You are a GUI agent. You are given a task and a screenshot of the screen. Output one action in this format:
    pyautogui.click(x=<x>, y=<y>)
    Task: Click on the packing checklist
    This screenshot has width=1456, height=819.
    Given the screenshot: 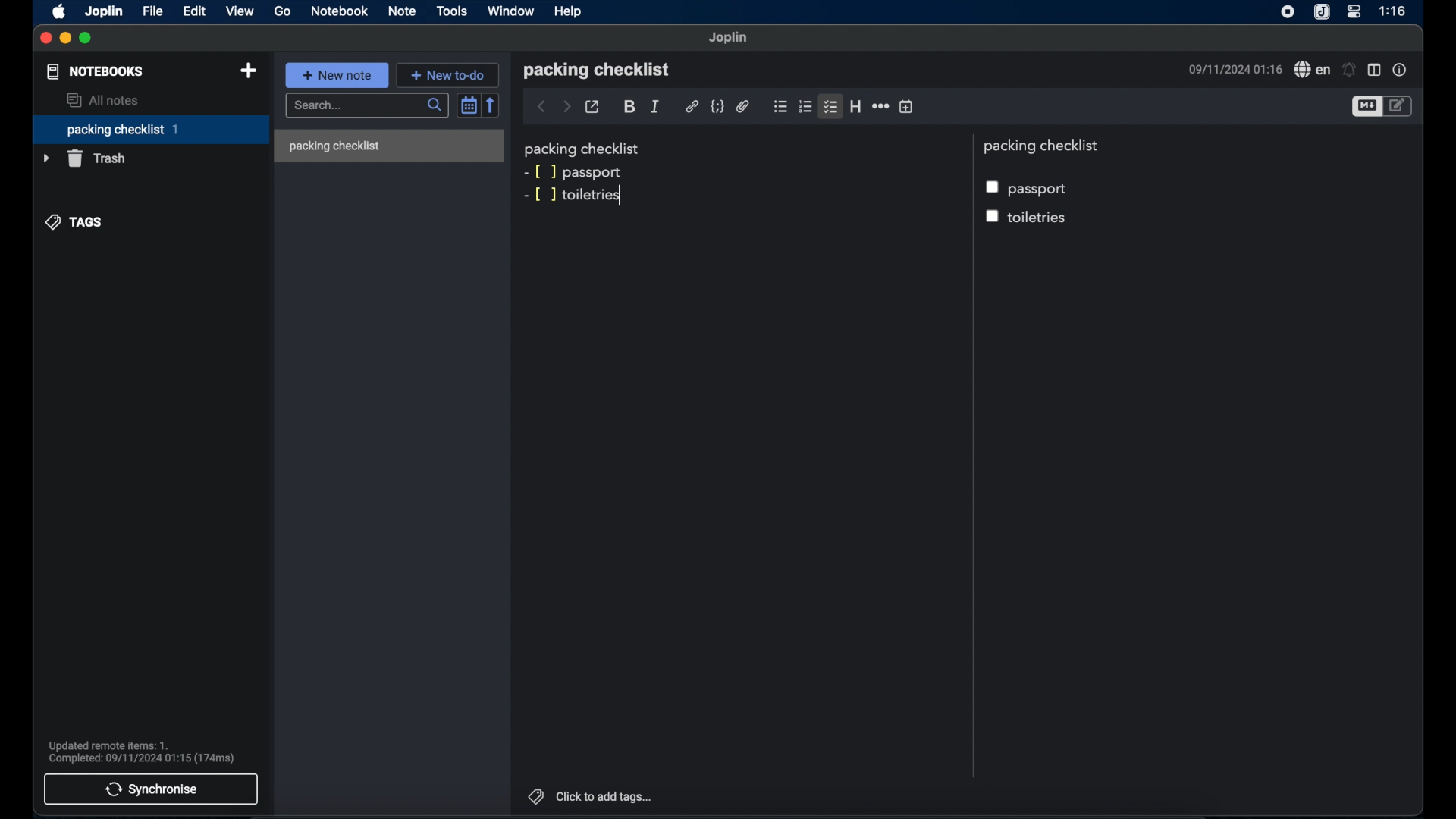 What is the action you would take?
    pyautogui.click(x=1044, y=146)
    